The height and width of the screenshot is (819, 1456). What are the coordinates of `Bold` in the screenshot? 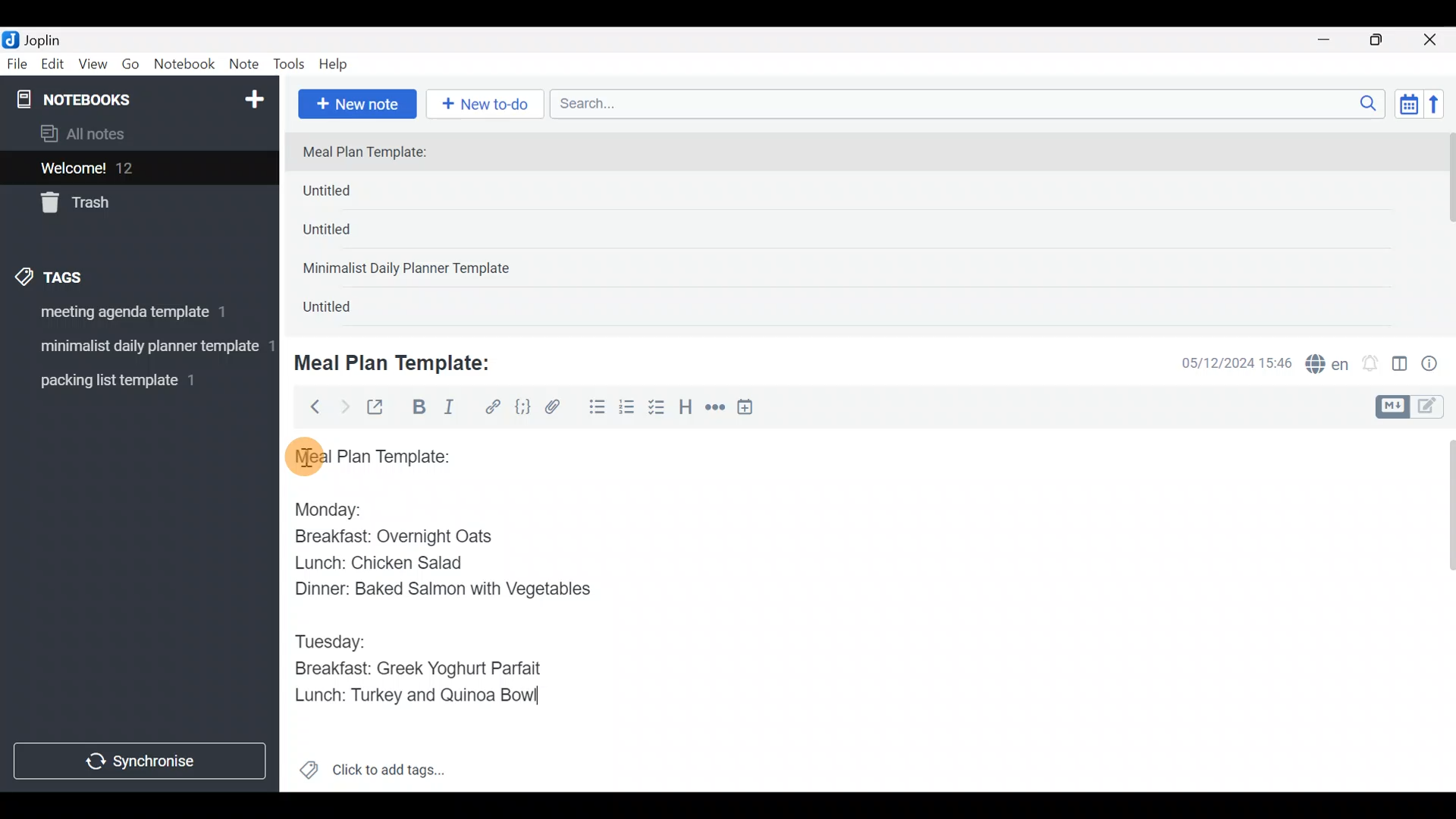 It's located at (418, 409).